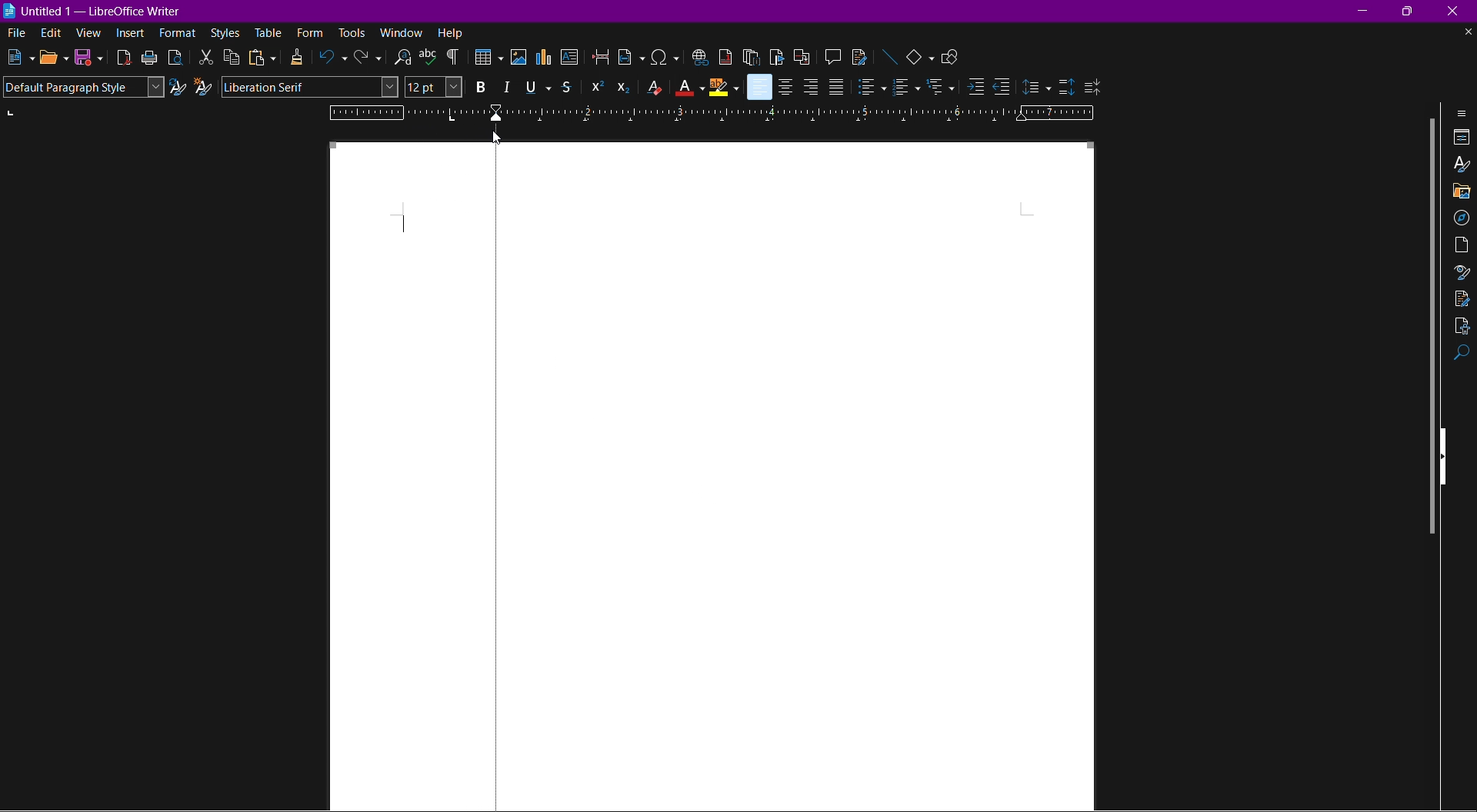 Image resolution: width=1477 pixels, height=812 pixels. Describe the element at coordinates (545, 59) in the screenshot. I see `Insert Graph` at that location.